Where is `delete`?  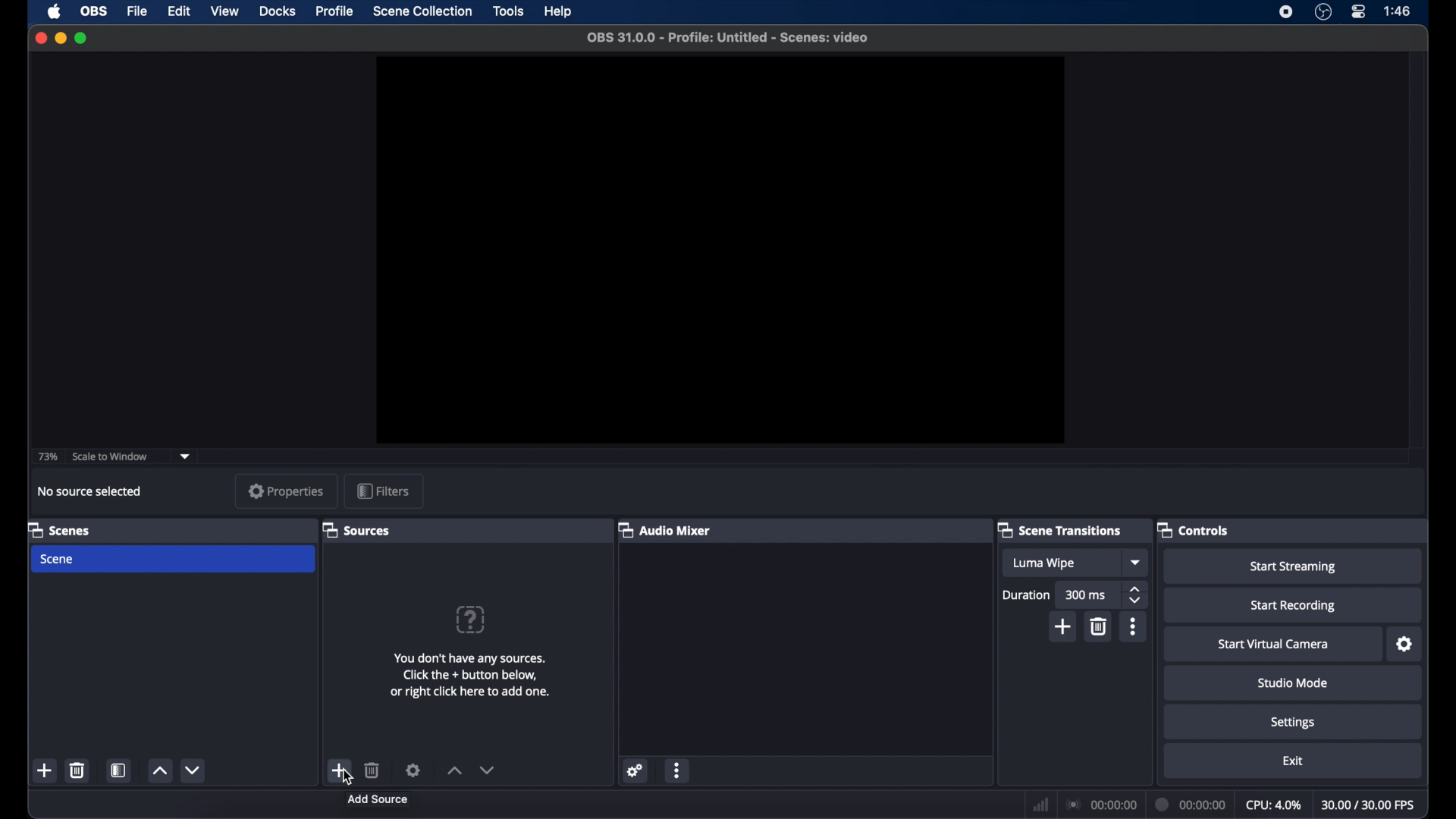 delete is located at coordinates (78, 770).